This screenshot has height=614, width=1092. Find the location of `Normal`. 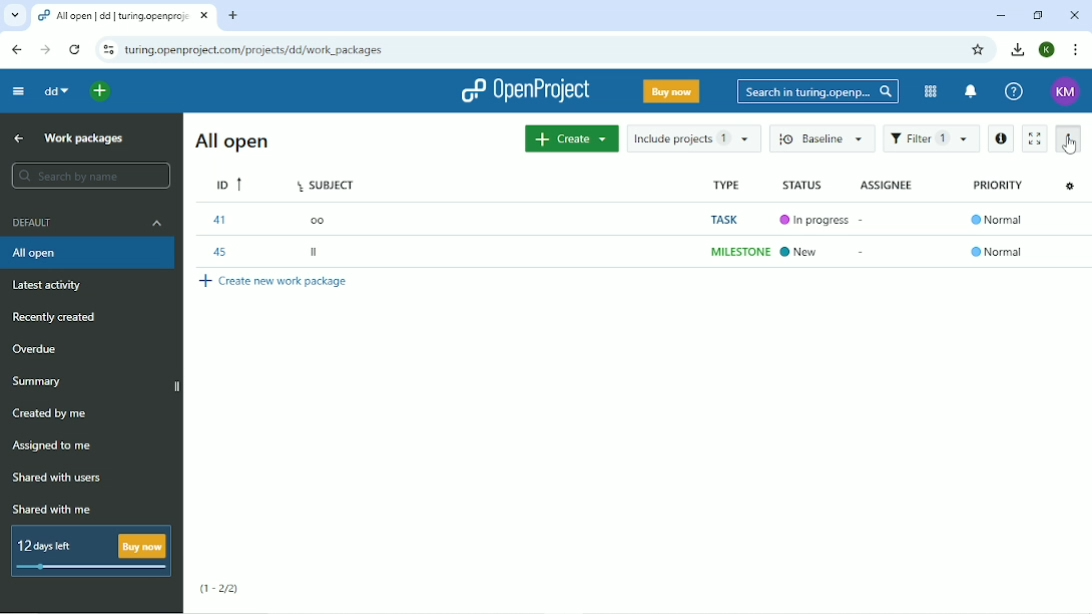

Normal is located at coordinates (999, 253).